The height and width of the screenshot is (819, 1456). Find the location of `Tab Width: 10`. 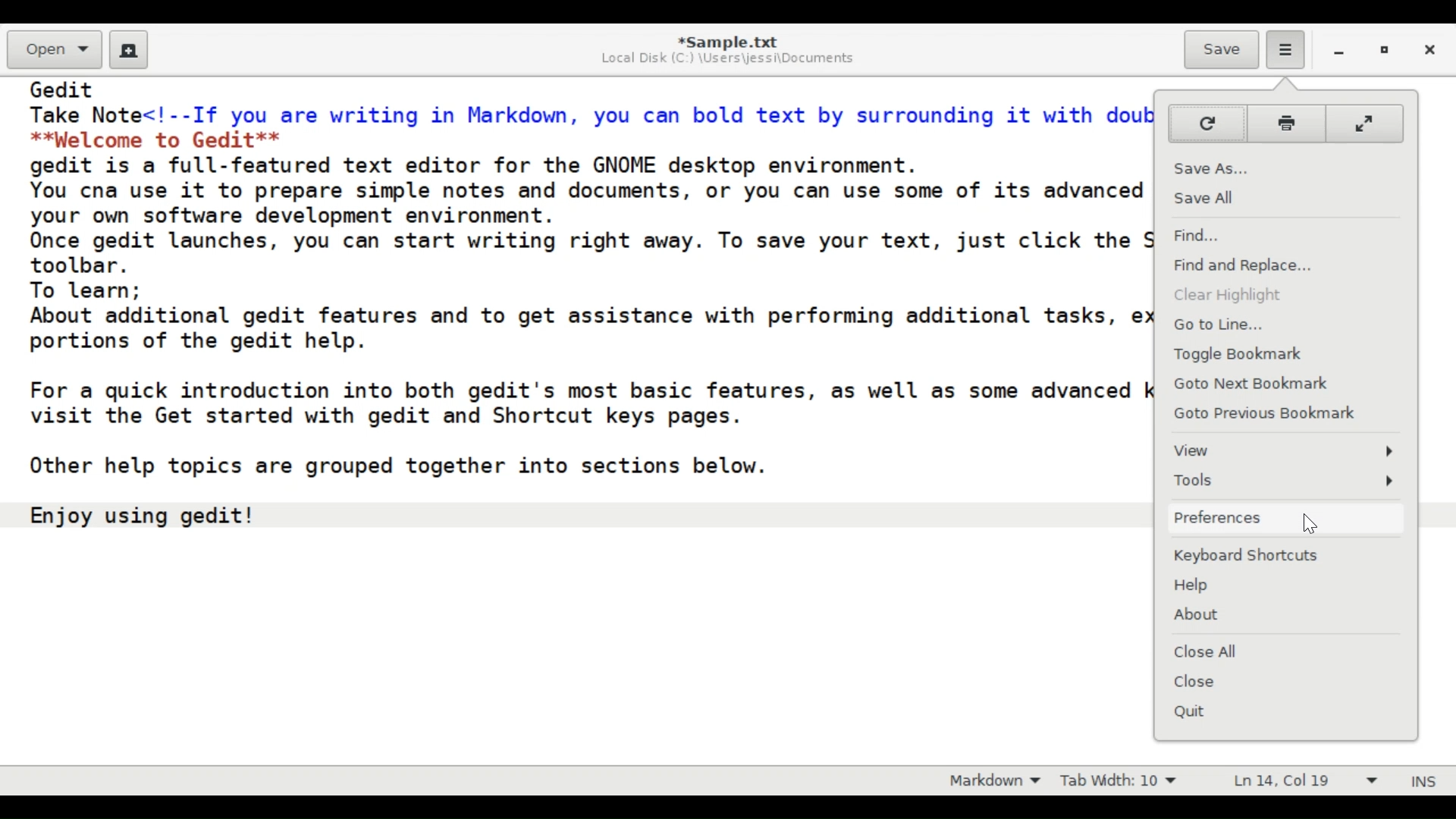

Tab Width: 10 is located at coordinates (1116, 780).